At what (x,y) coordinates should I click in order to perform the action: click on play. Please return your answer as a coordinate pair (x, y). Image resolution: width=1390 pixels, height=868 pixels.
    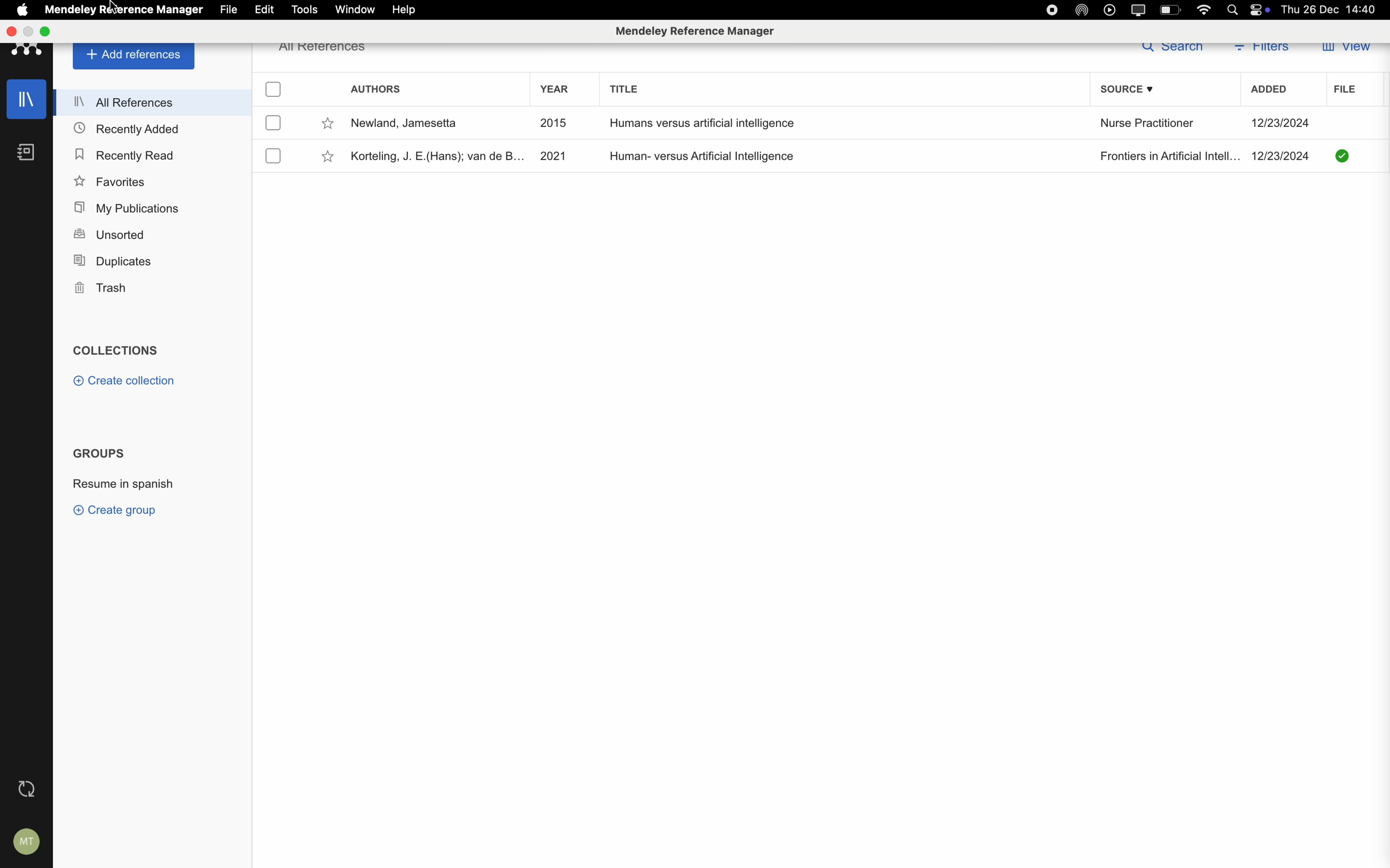
    Looking at the image, I should click on (1110, 10).